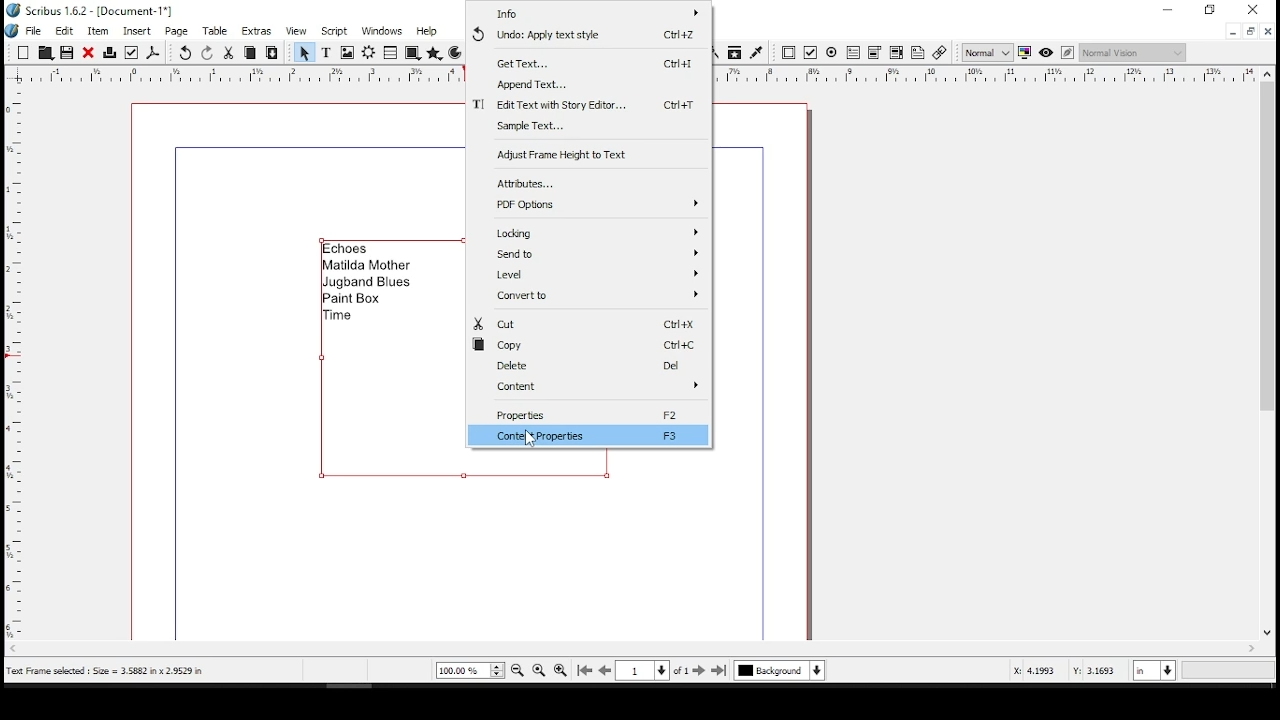 Image resolution: width=1280 pixels, height=720 pixels. What do you see at coordinates (1029, 670) in the screenshot?
I see `X: 4.1993` at bounding box center [1029, 670].